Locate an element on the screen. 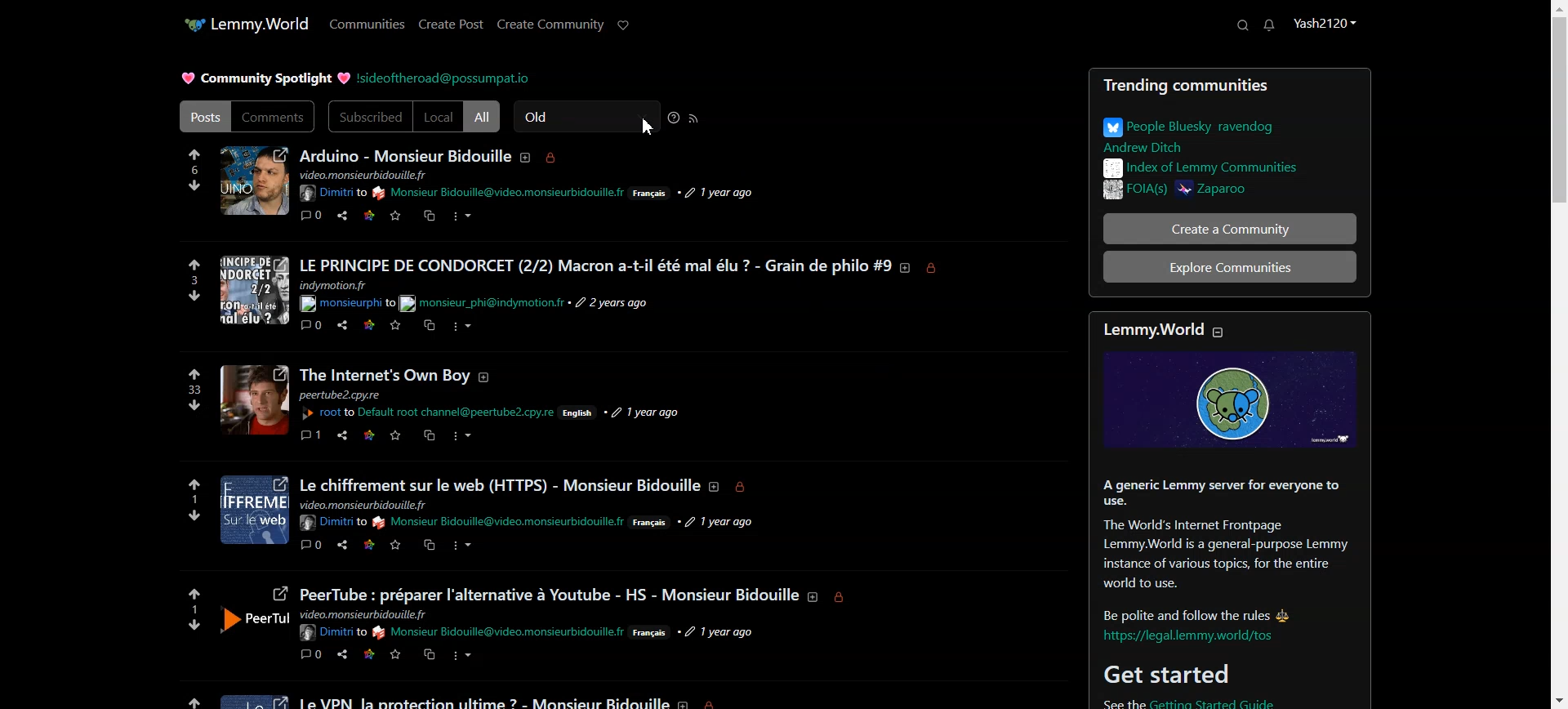 Image resolution: width=1568 pixels, height=709 pixels.  is located at coordinates (366, 504).